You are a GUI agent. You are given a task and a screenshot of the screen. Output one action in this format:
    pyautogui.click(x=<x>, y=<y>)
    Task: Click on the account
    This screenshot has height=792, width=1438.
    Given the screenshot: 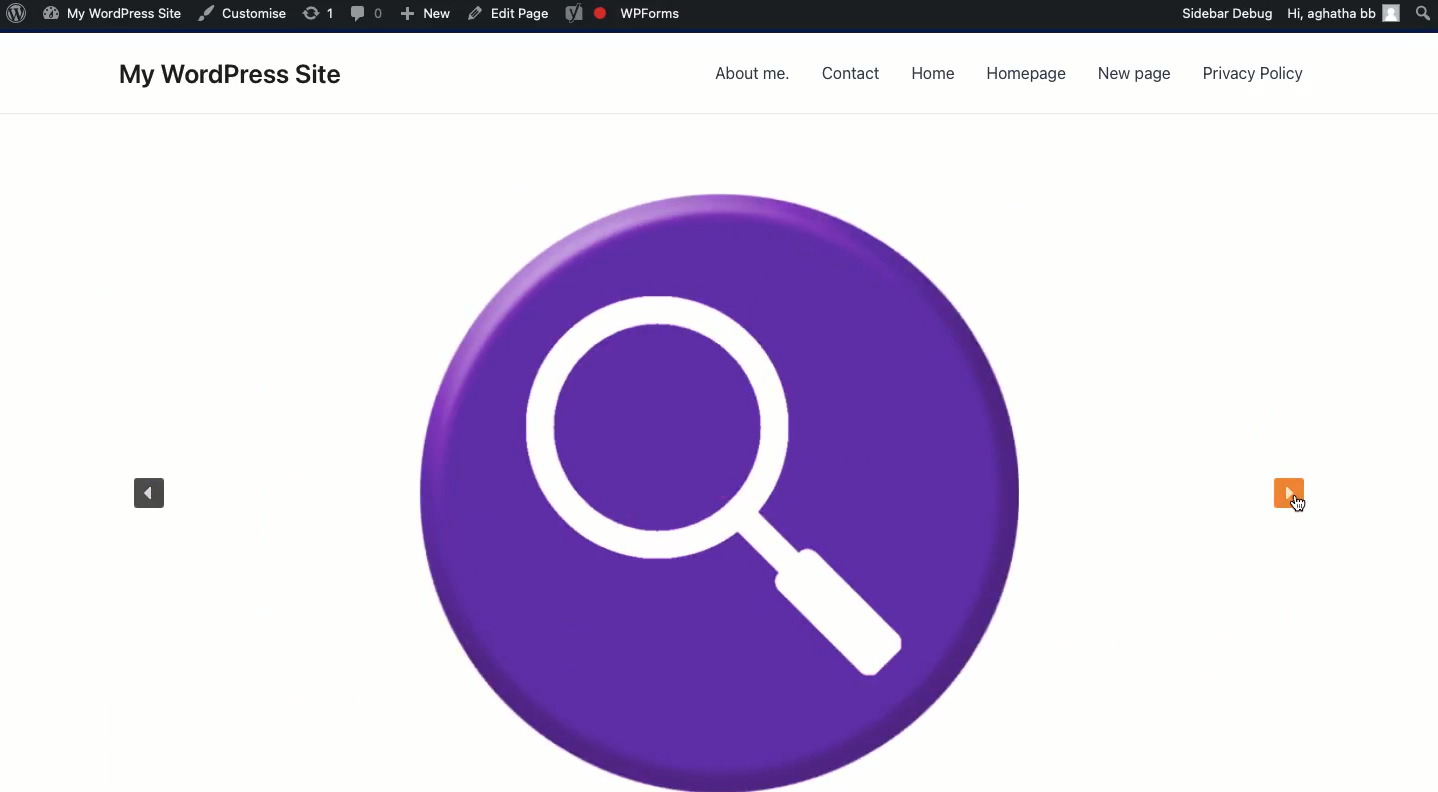 What is the action you would take?
    pyautogui.click(x=1392, y=18)
    